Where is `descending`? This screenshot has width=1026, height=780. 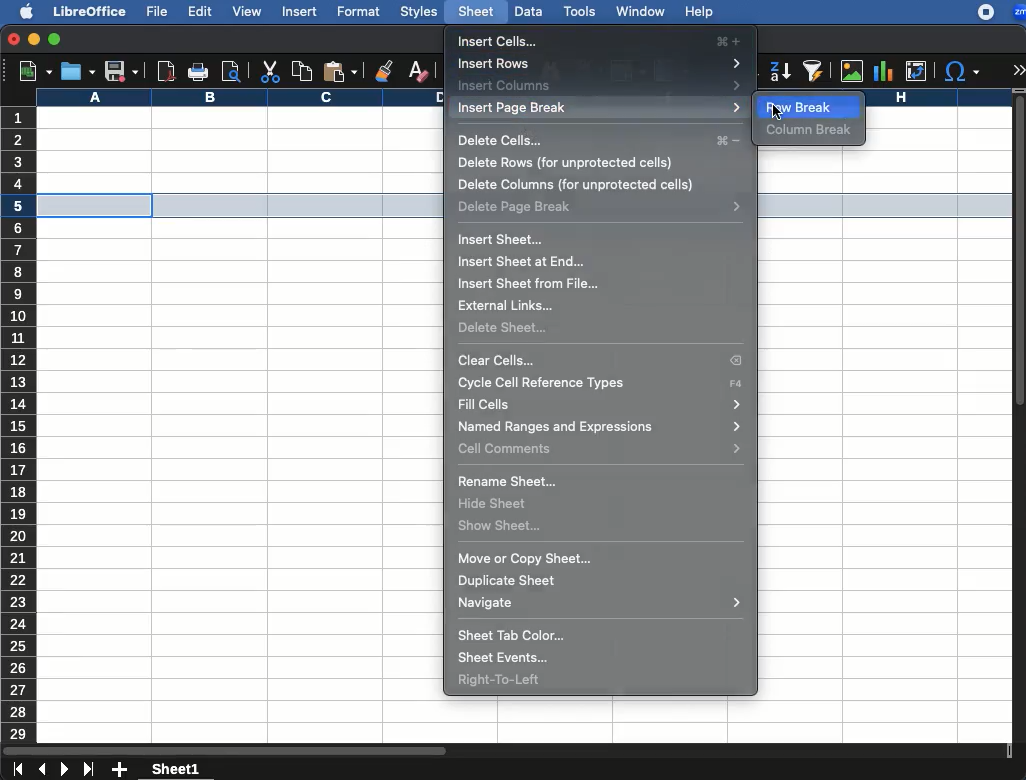
descending is located at coordinates (780, 71).